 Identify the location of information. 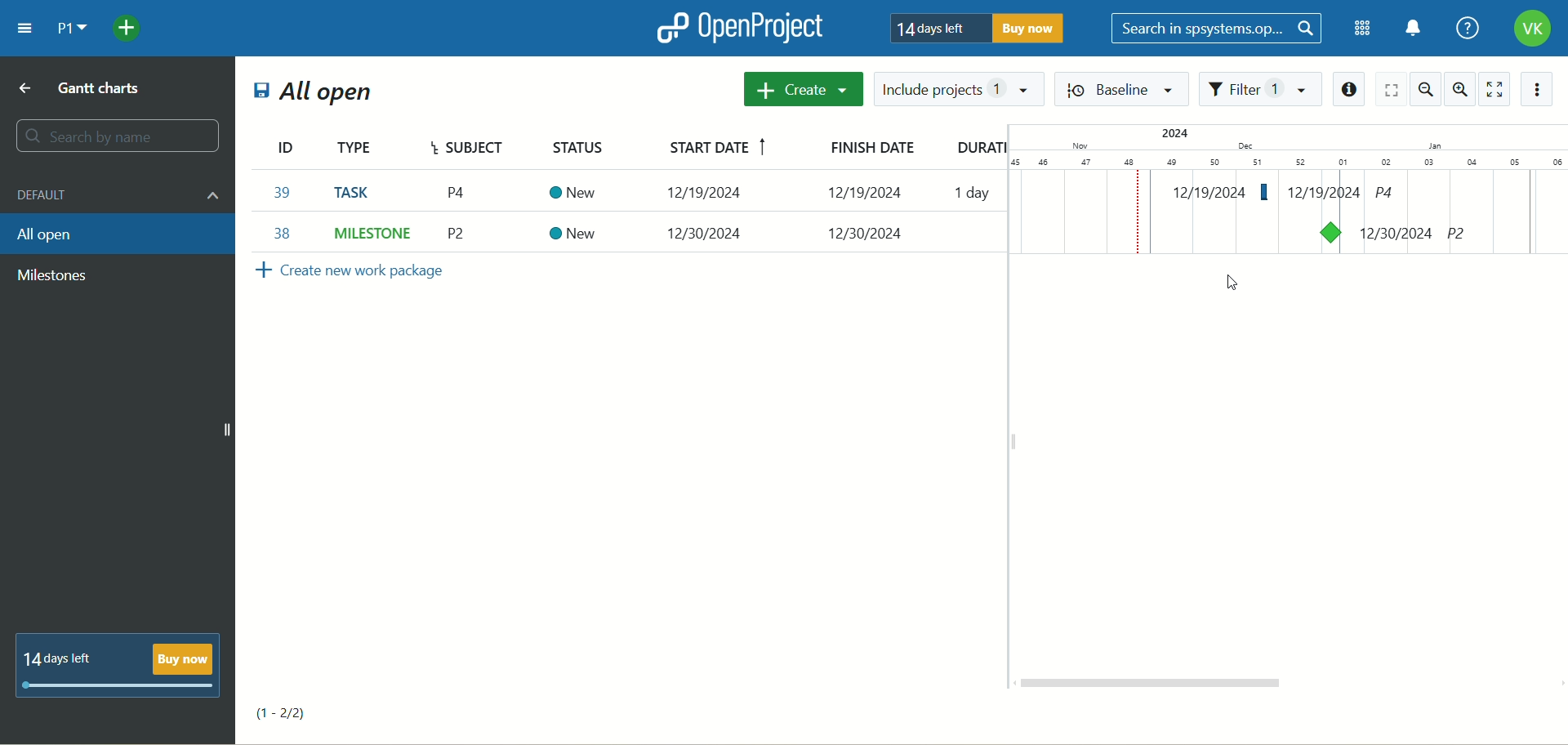
(1350, 91).